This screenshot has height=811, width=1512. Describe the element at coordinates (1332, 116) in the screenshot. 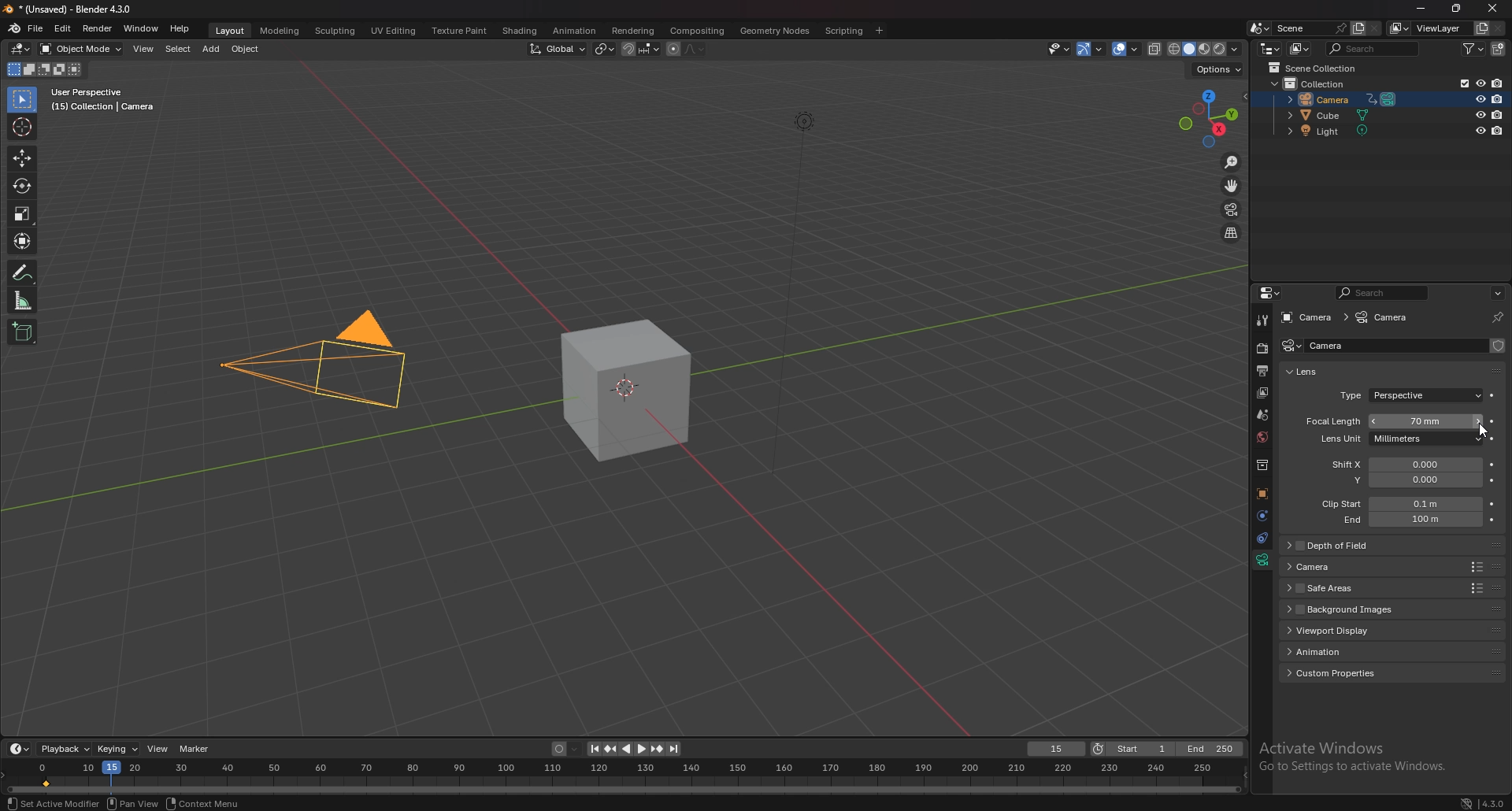

I see `cube` at that location.